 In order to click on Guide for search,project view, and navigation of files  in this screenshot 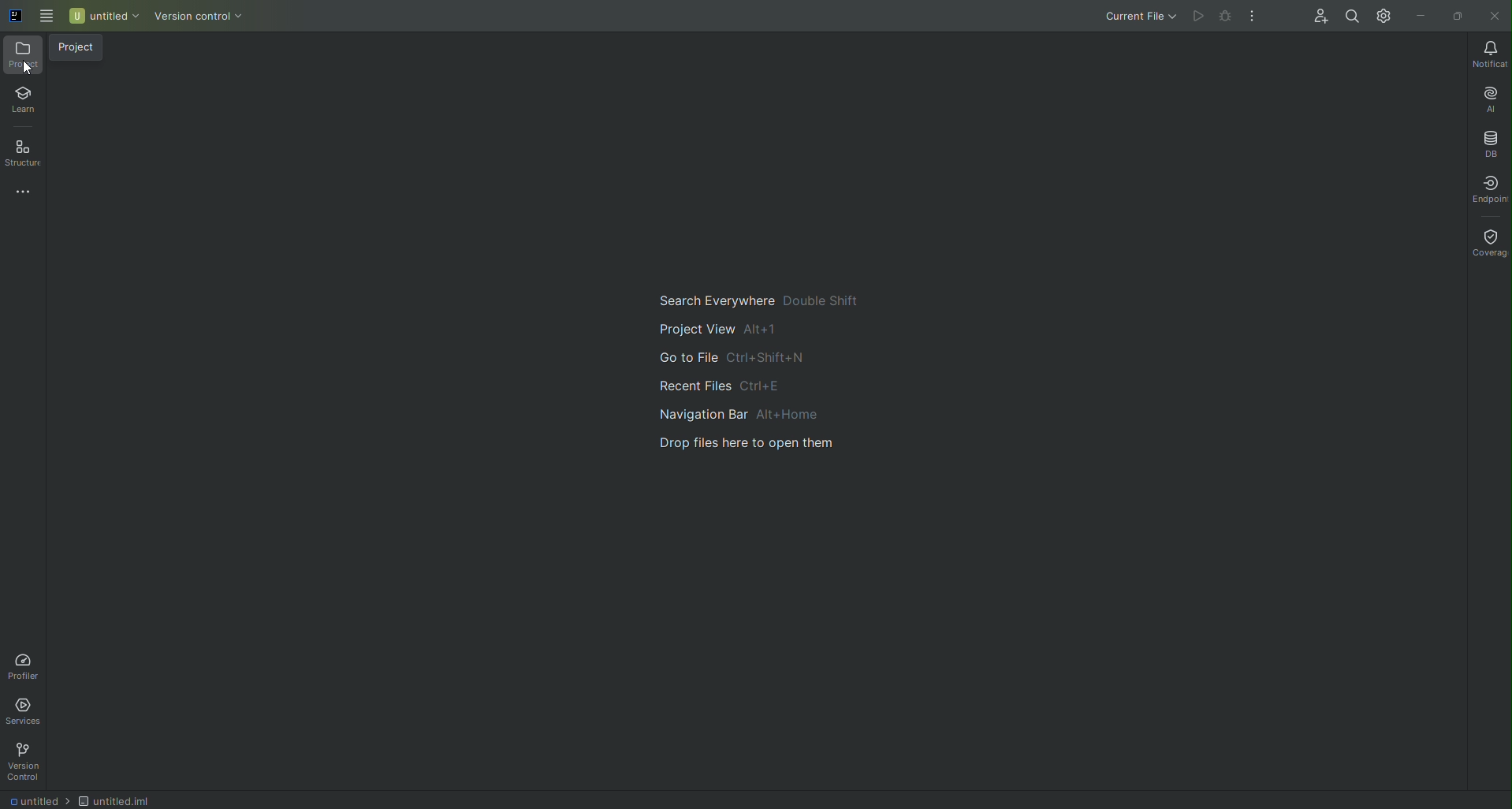, I will do `click(775, 386)`.